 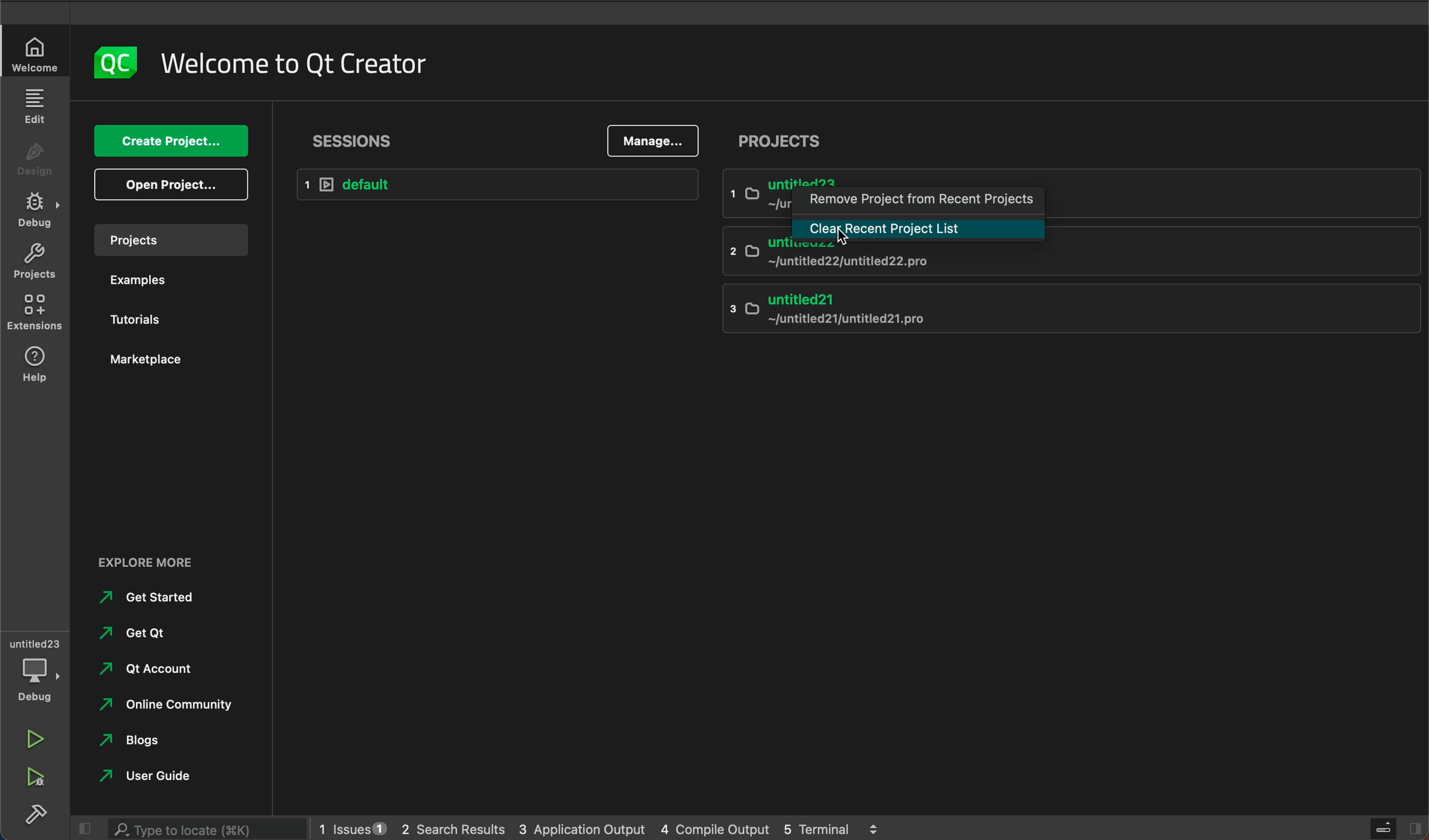 What do you see at coordinates (33, 777) in the screenshot?
I see `run debug` at bounding box center [33, 777].